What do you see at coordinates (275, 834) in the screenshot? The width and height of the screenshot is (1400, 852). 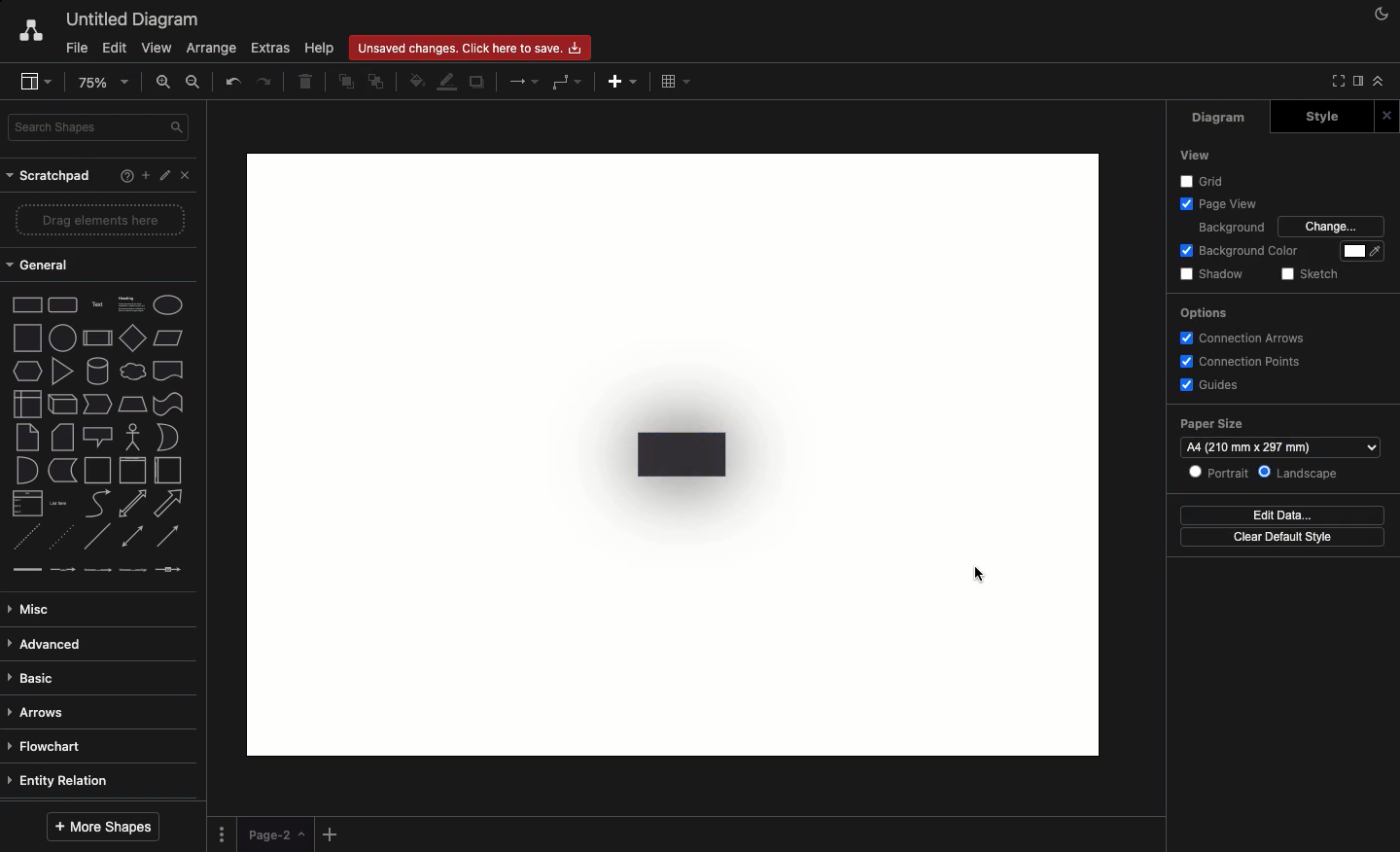 I see `Page` at bounding box center [275, 834].